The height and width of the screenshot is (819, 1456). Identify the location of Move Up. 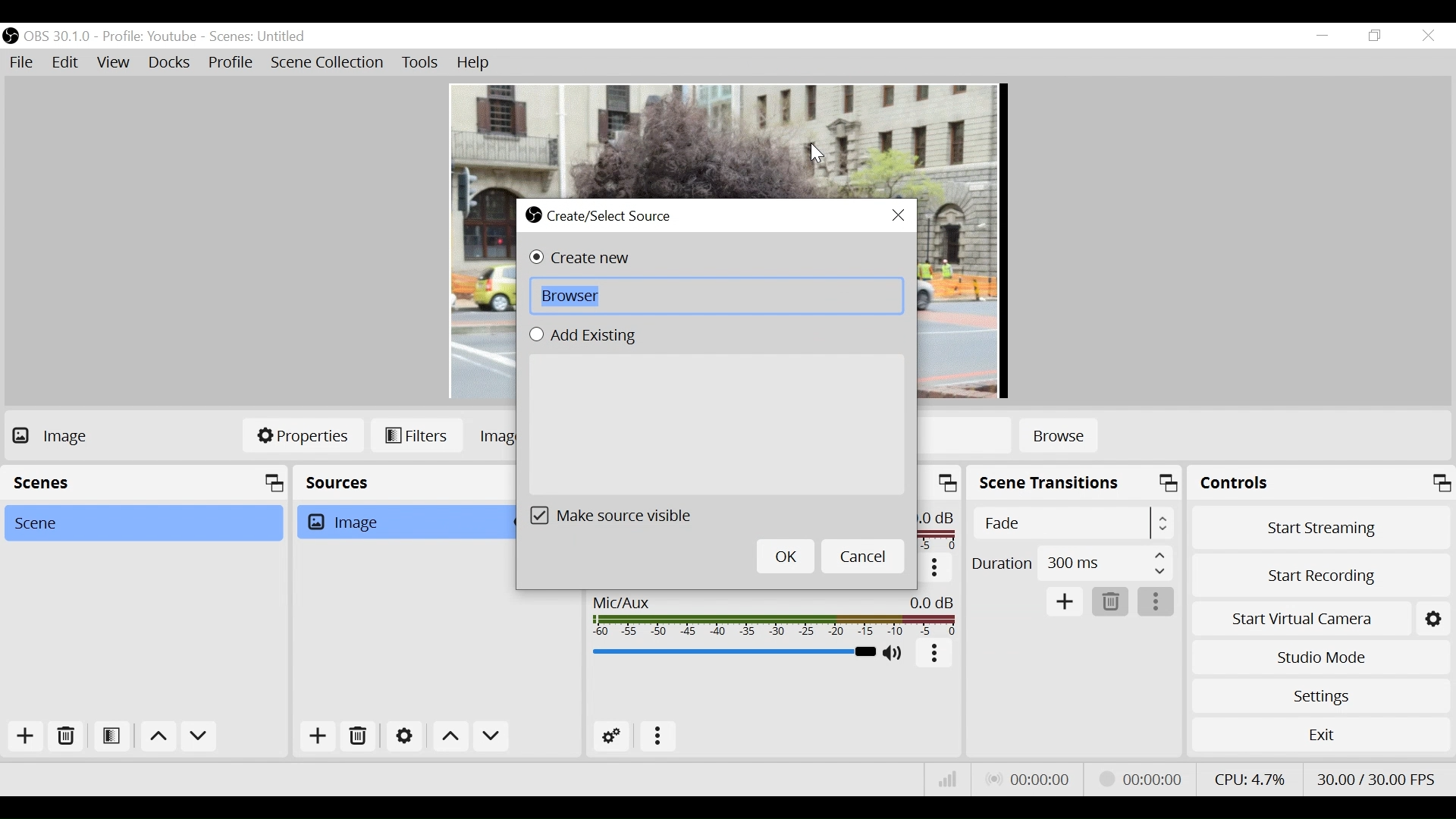
(450, 736).